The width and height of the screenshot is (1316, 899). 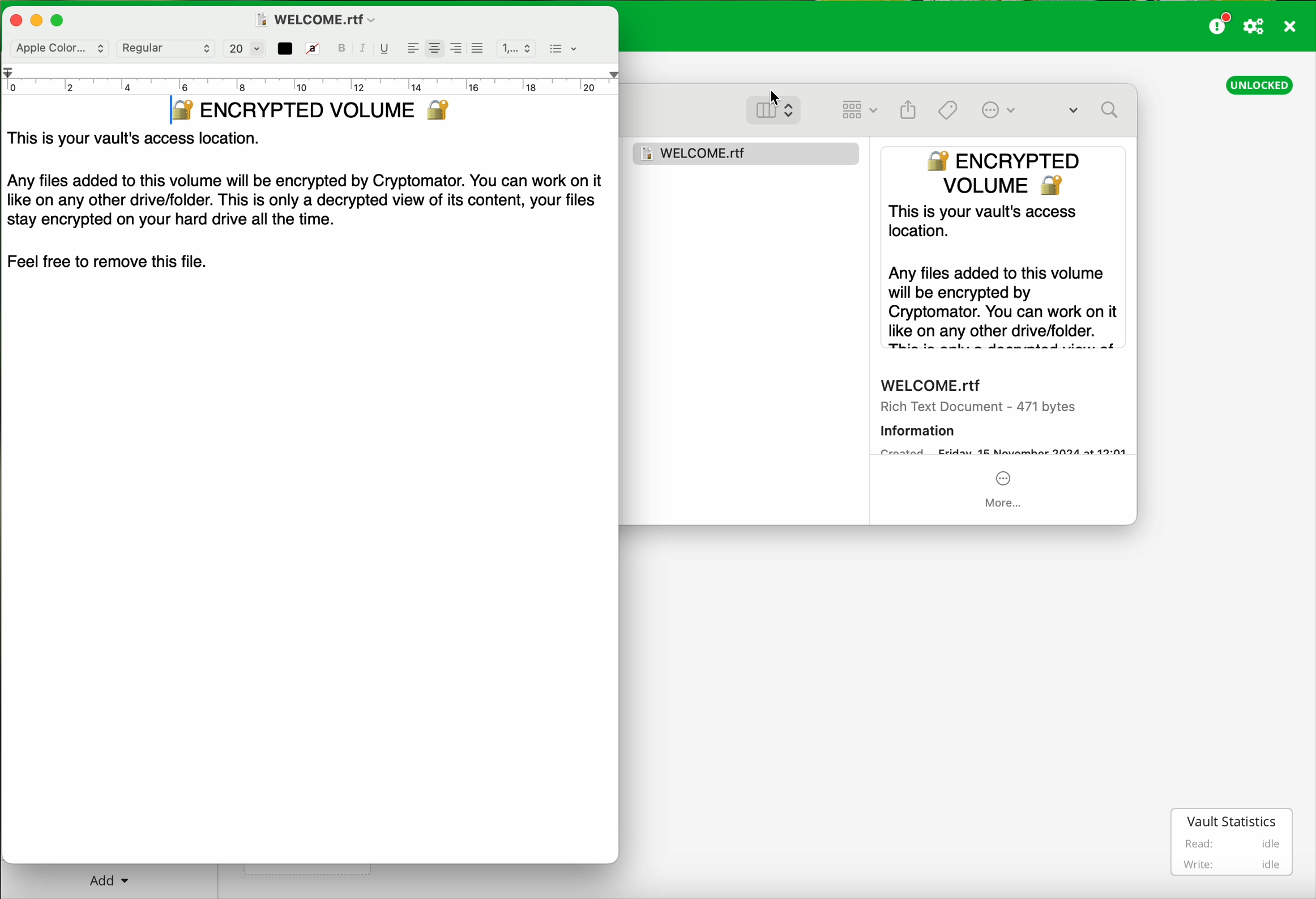 What do you see at coordinates (478, 48) in the screenshot?
I see `justified` at bounding box center [478, 48].